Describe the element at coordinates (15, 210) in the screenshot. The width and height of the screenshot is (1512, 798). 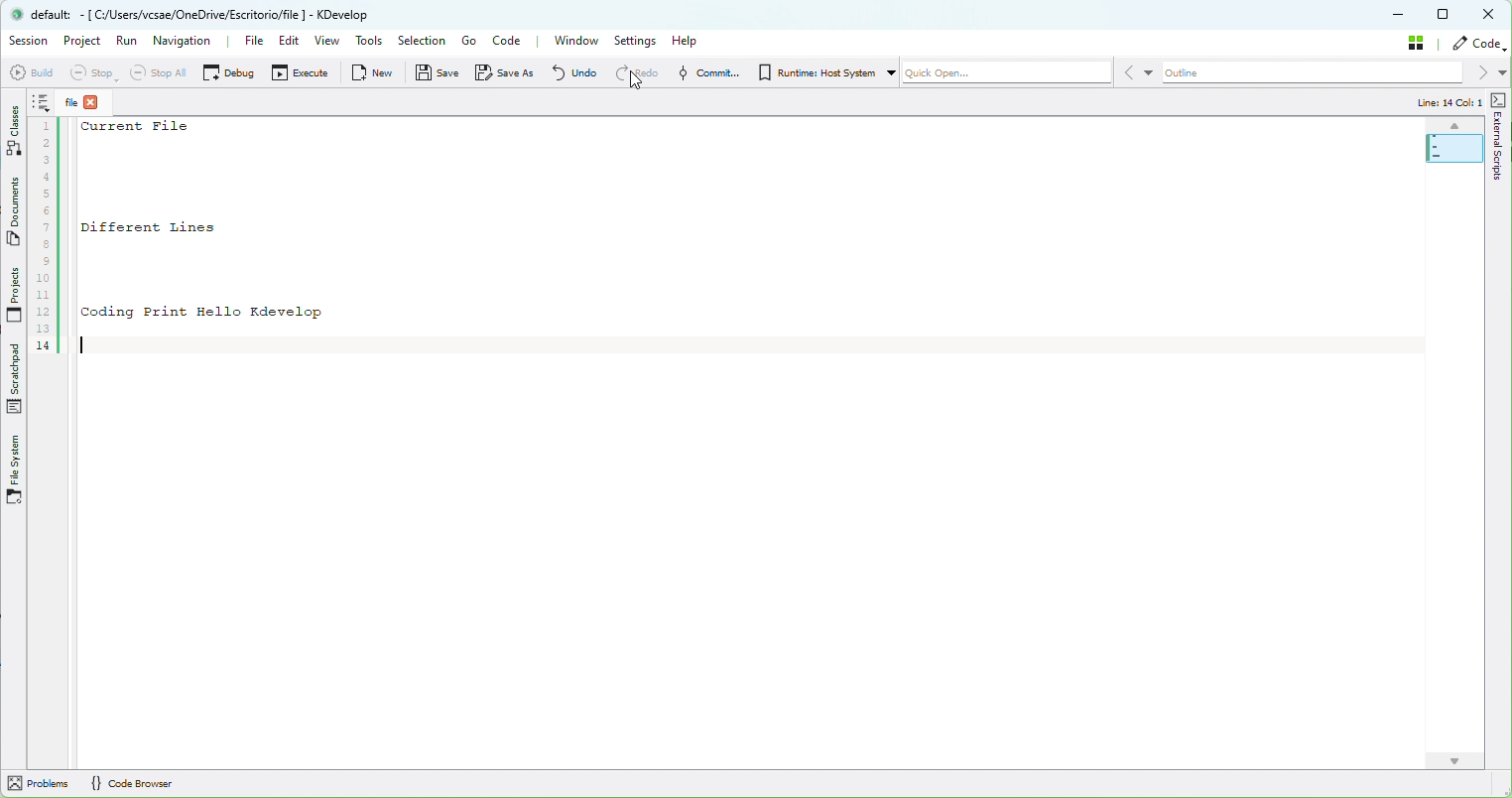
I see `Documents` at that location.